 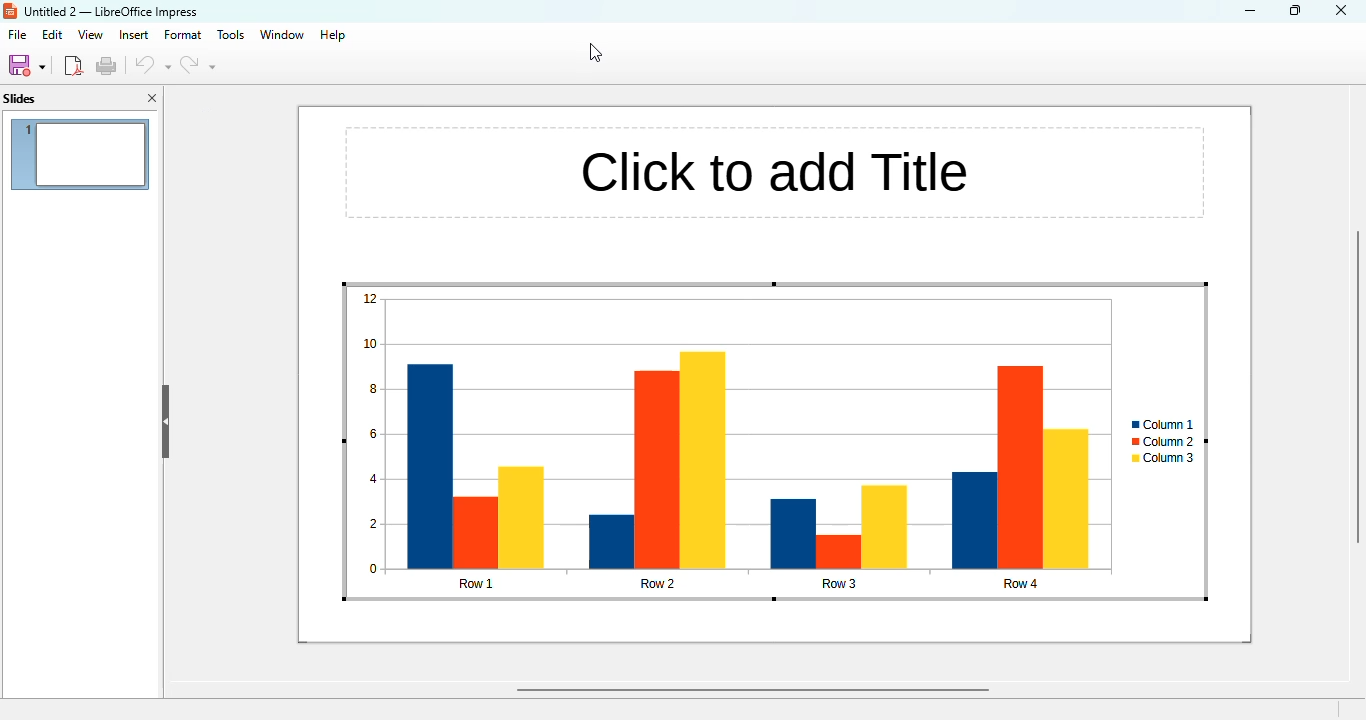 What do you see at coordinates (10, 13) in the screenshot?
I see `logo` at bounding box center [10, 13].